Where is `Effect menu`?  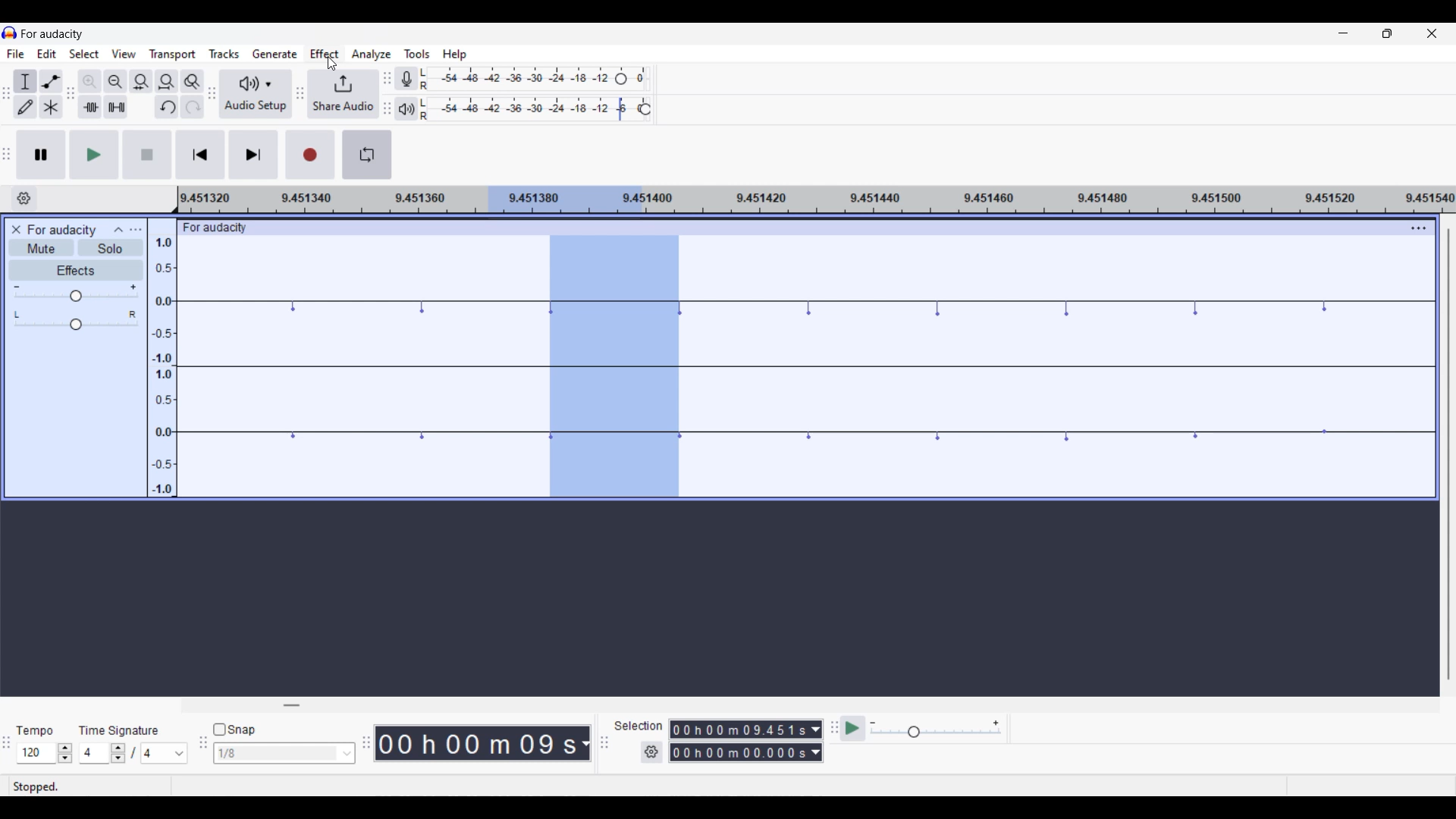 Effect menu is located at coordinates (325, 54).